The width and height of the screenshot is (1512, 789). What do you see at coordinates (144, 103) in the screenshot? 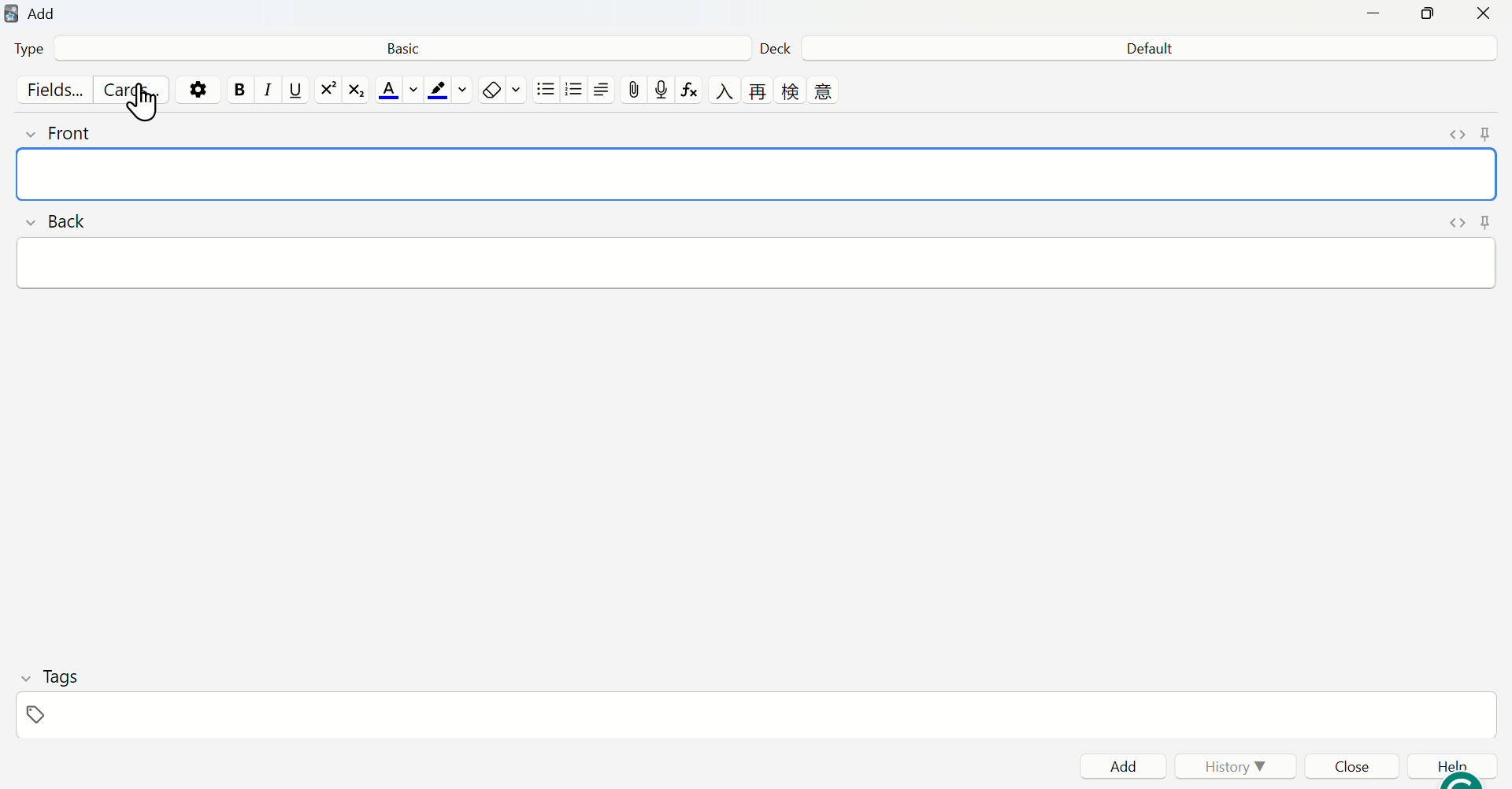
I see `Cursor` at bounding box center [144, 103].